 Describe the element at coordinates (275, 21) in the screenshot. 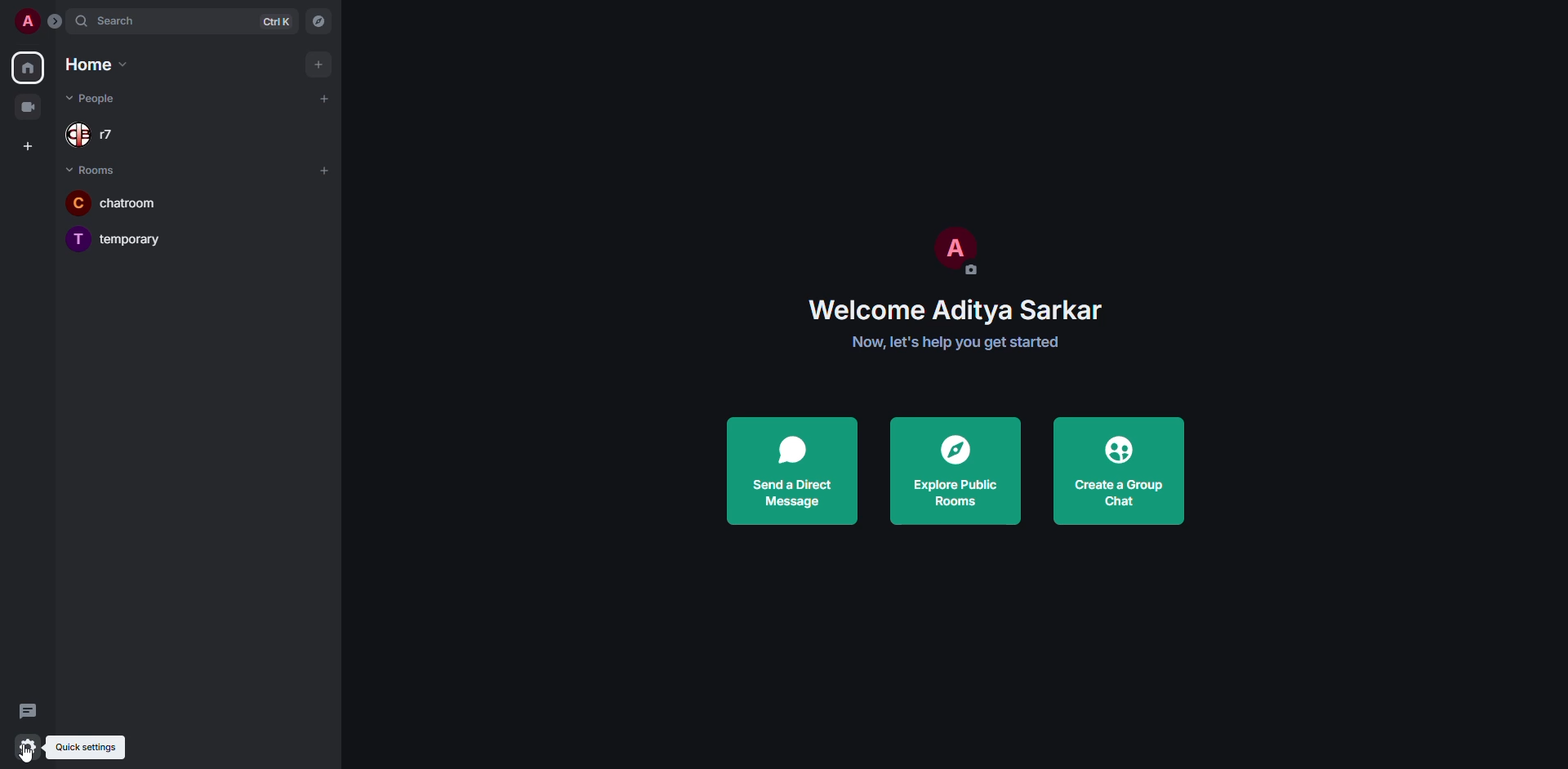

I see `ctrl K` at that location.